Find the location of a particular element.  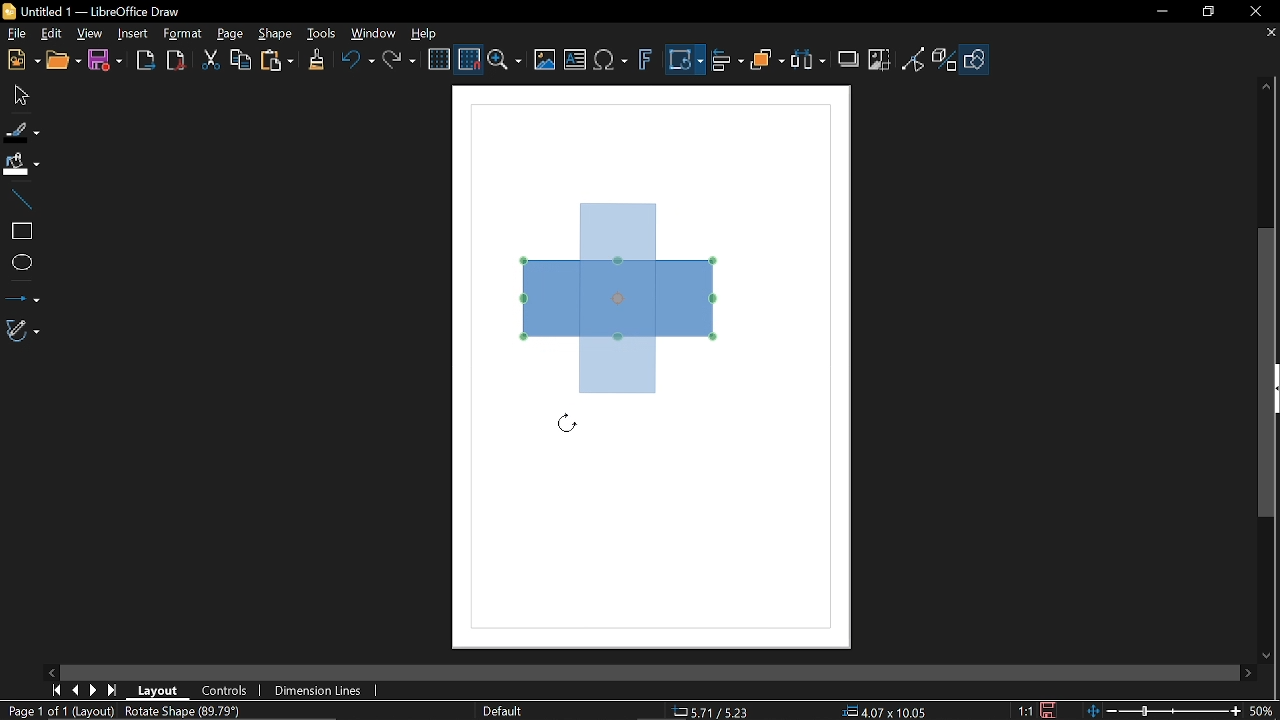

File is located at coordinates (16, 34).